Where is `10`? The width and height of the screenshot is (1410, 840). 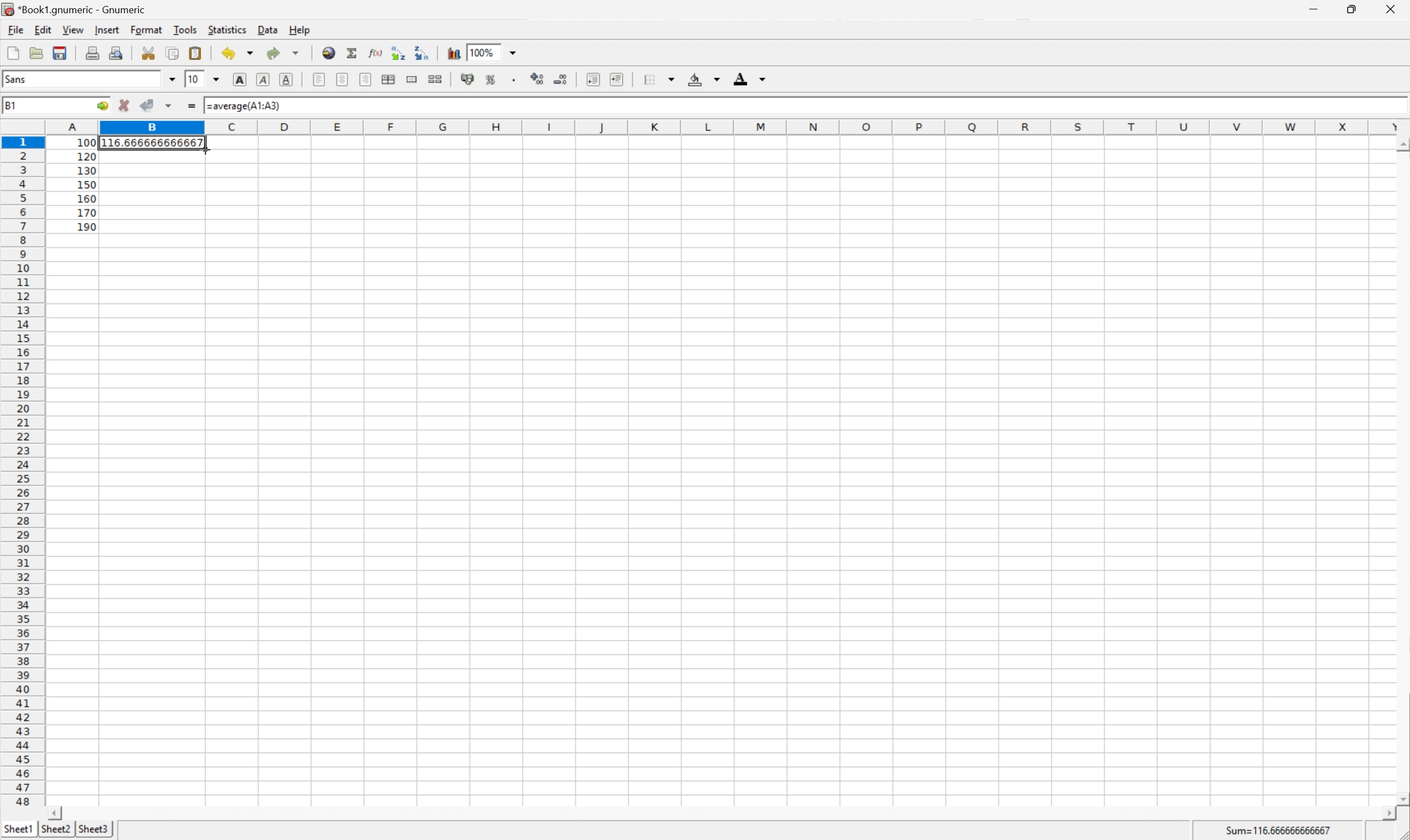
10 is located at coordinates (196, 78).